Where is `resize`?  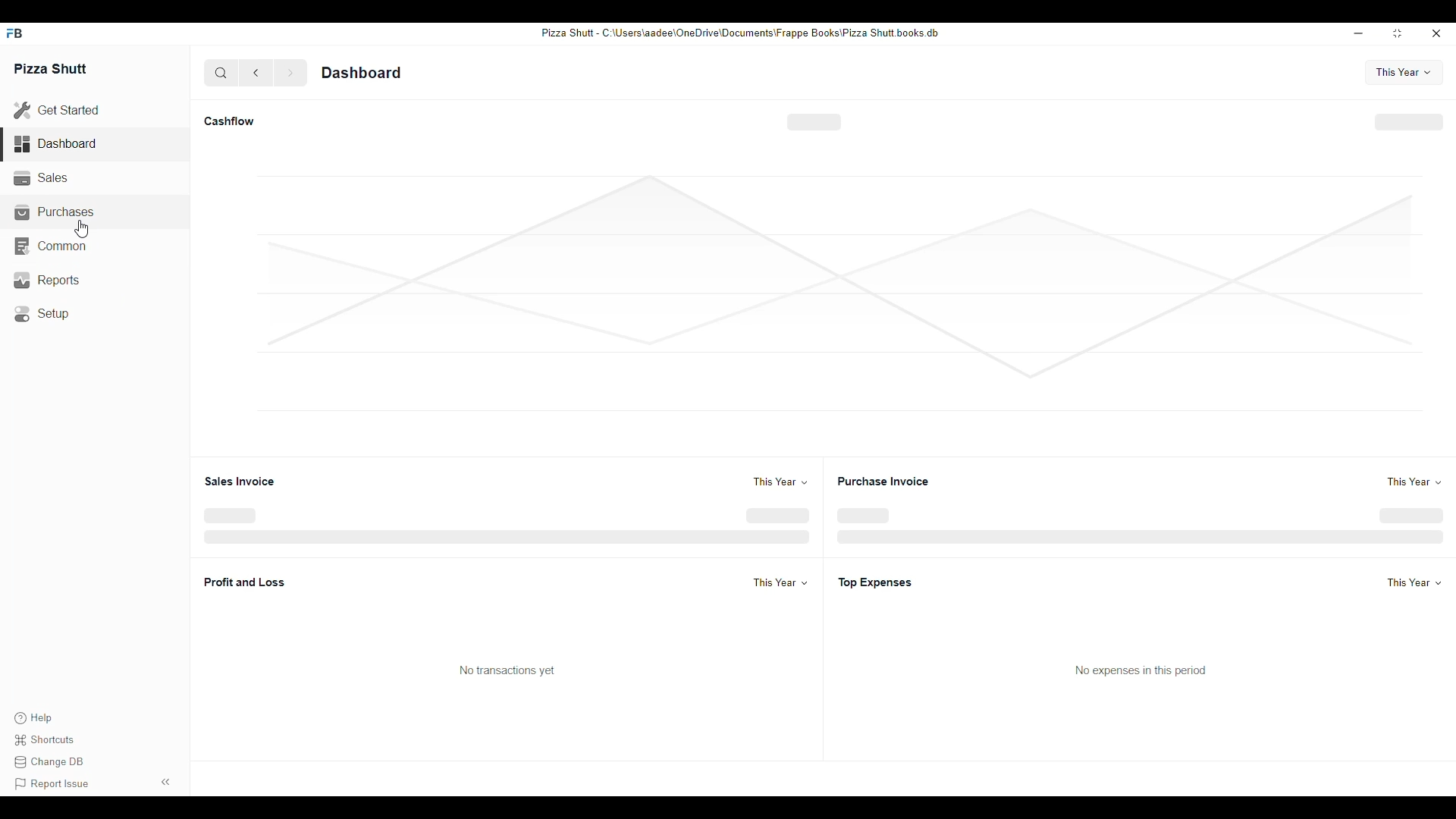
resize is located at coordinates (1395, 34).